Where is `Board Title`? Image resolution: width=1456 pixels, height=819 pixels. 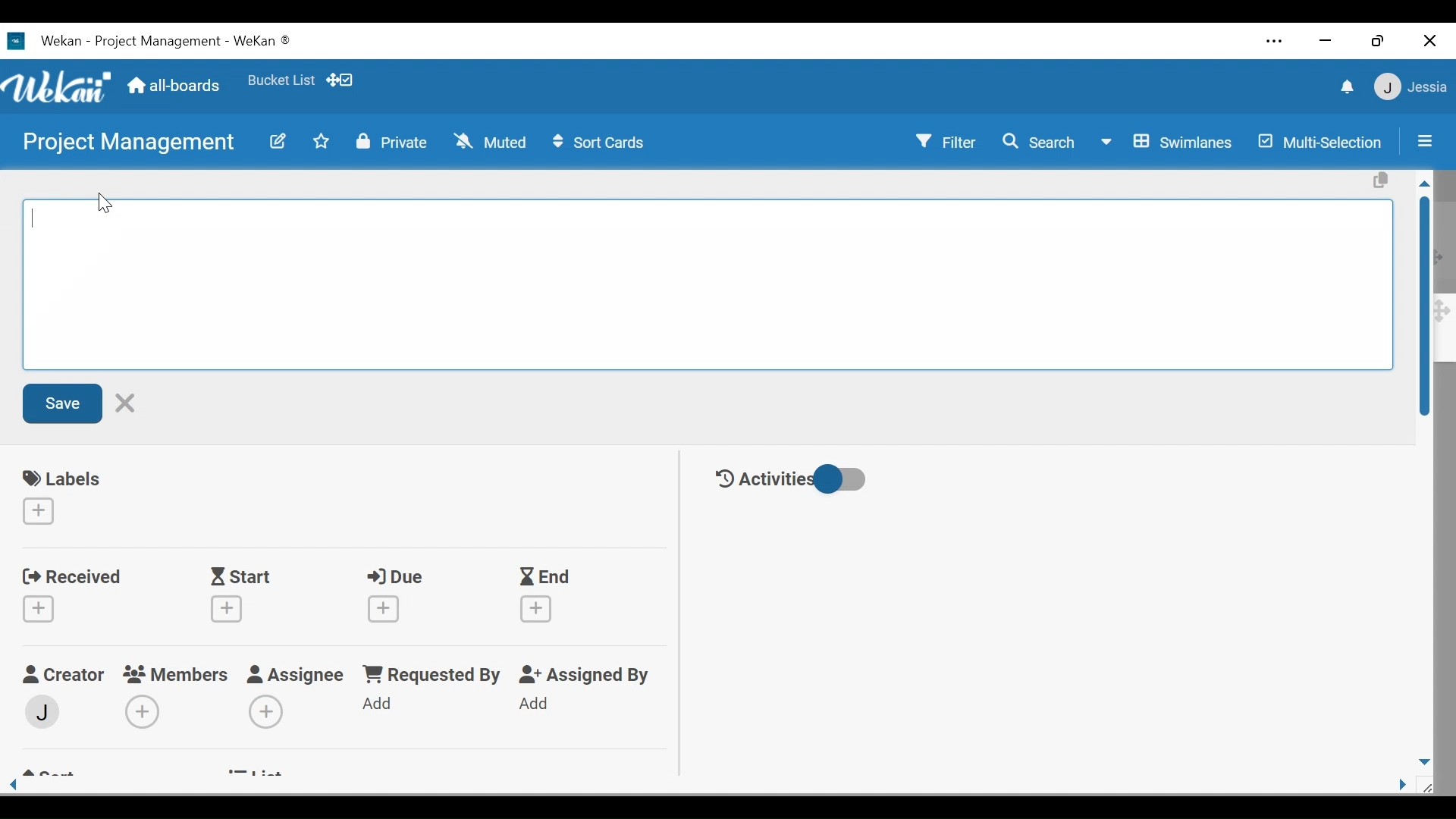 Board Title is located at coordinates (157, 41).